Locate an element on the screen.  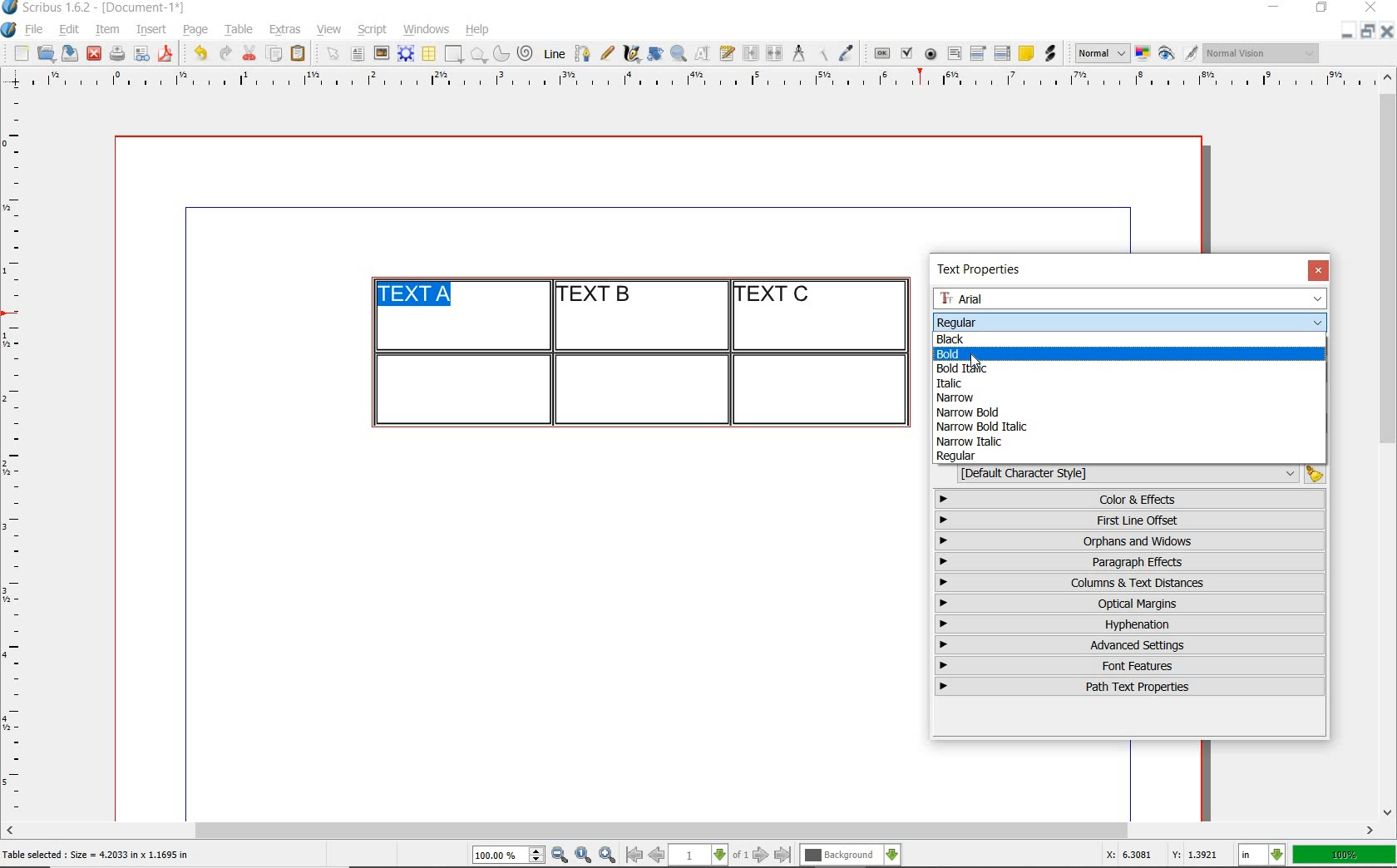
redo is located at coordinates (224, 52).